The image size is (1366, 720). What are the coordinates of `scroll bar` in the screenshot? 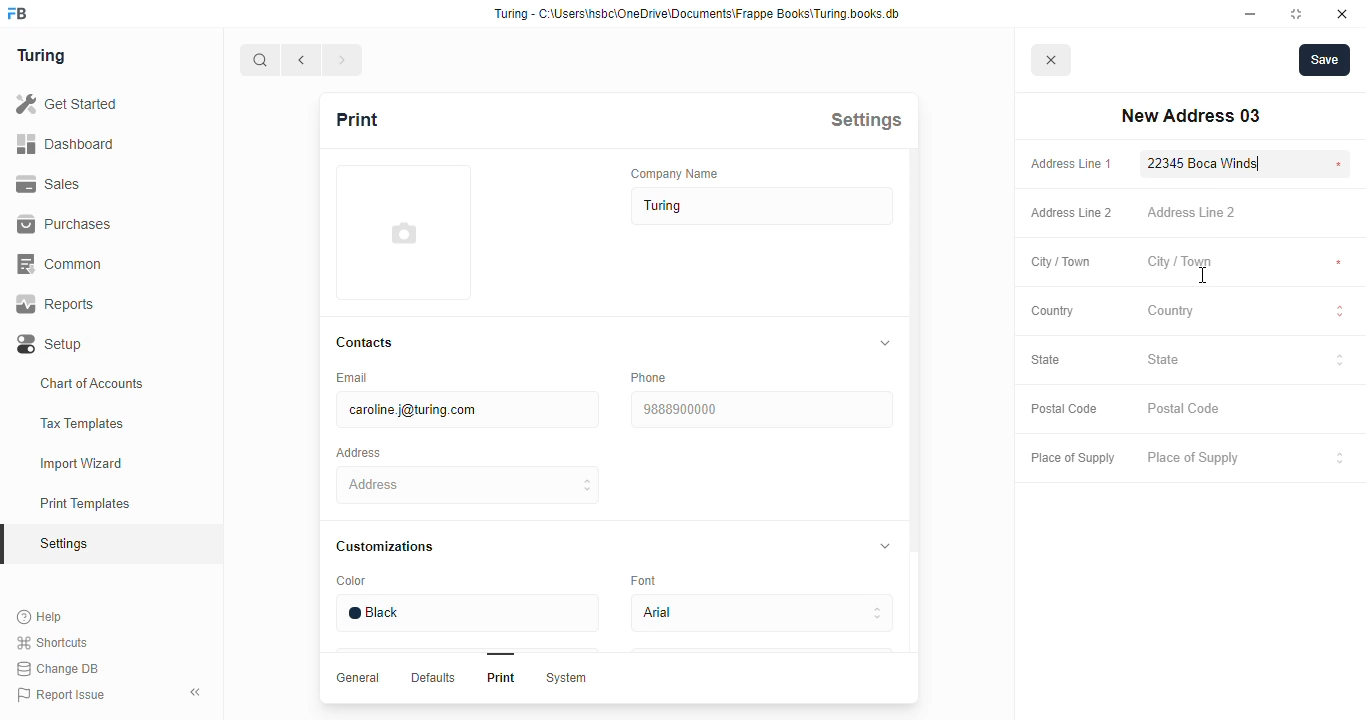 It's located at (913, 426).